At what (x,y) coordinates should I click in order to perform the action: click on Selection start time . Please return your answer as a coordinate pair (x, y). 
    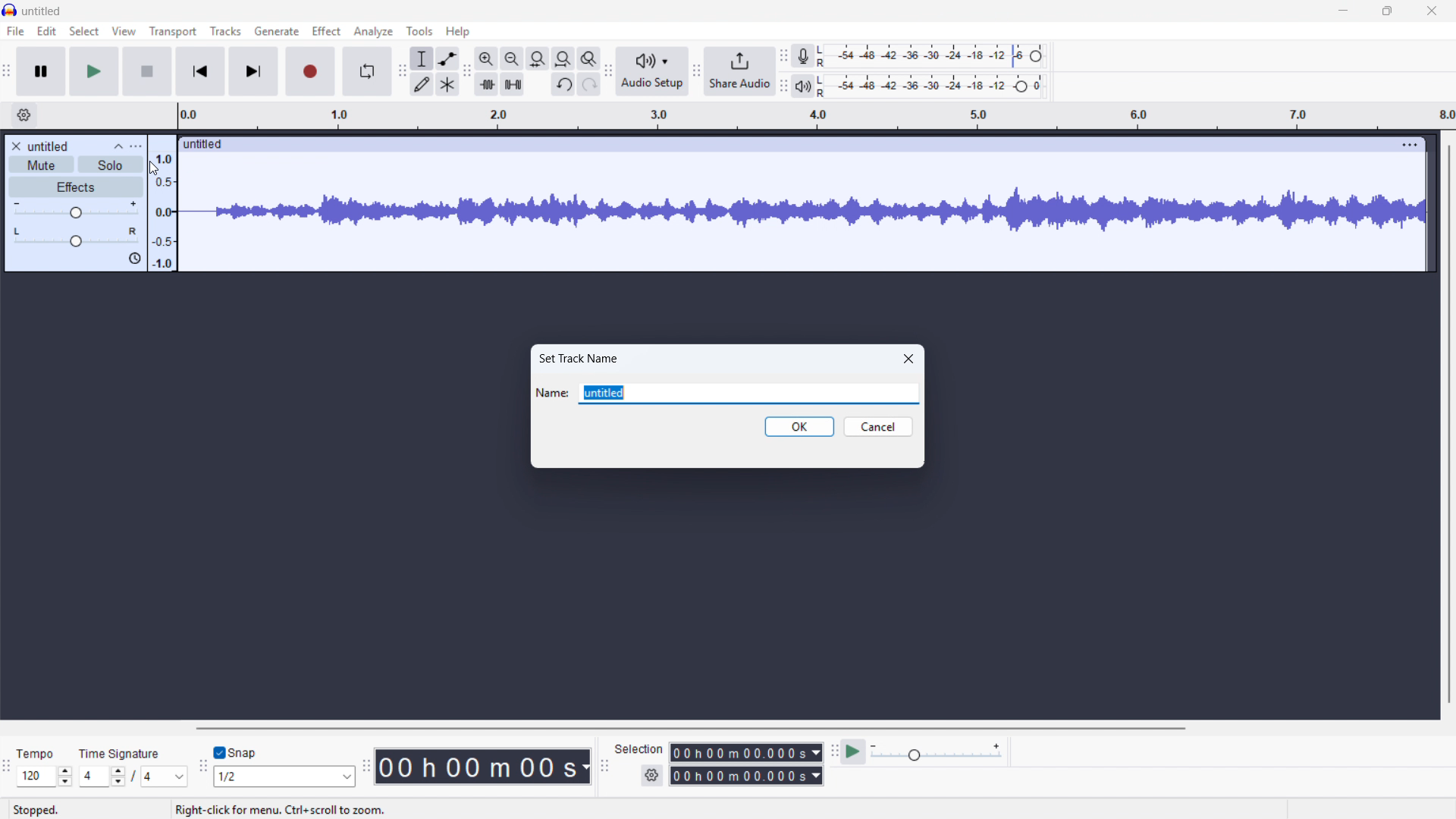
    Looking at the image, I should click on (747, 753).